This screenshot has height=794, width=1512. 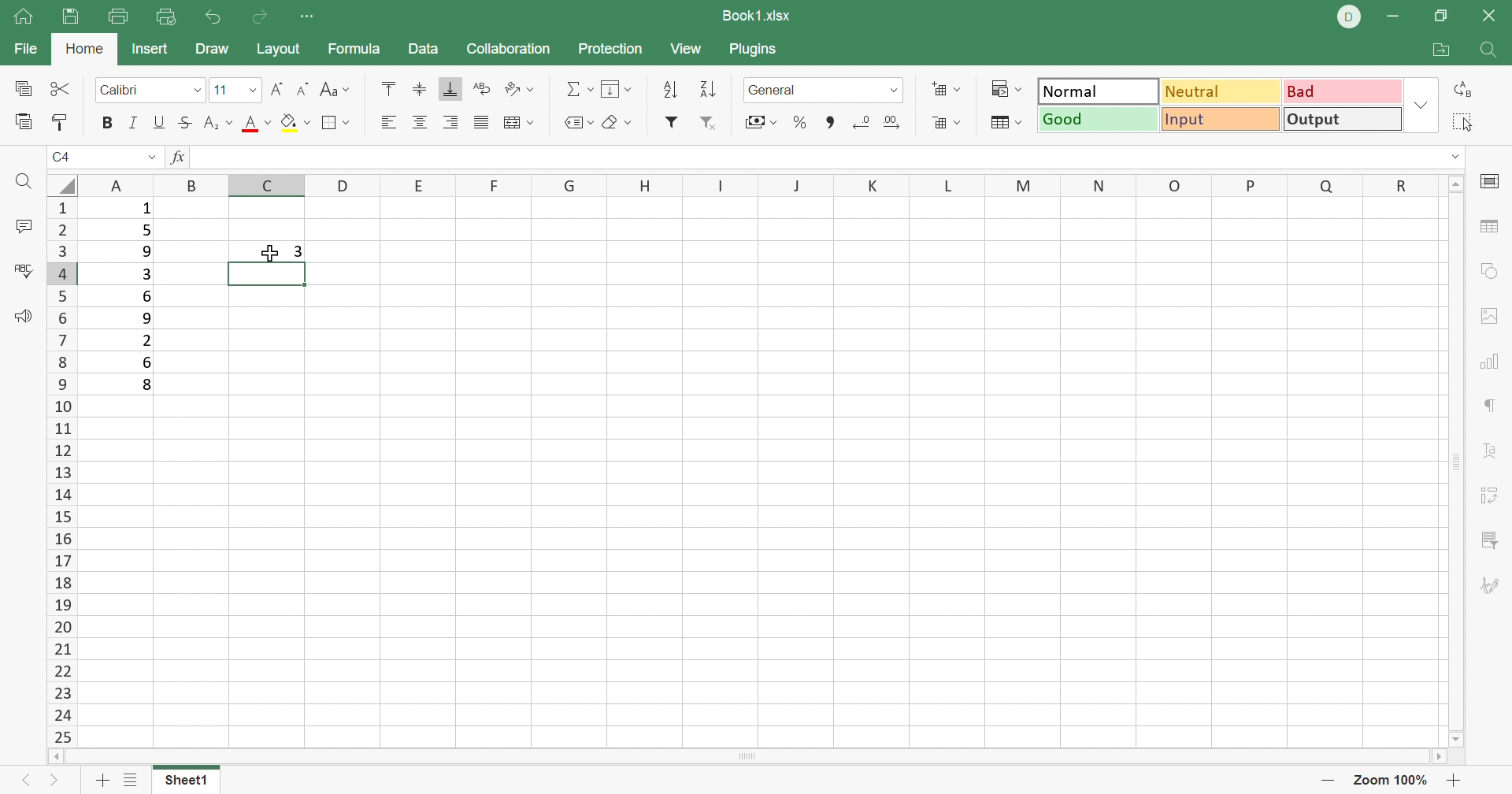 What do you see at coordinates (1444, 50) in the screenshot?
I see `Open file location` at bounding box center [1444, 50].